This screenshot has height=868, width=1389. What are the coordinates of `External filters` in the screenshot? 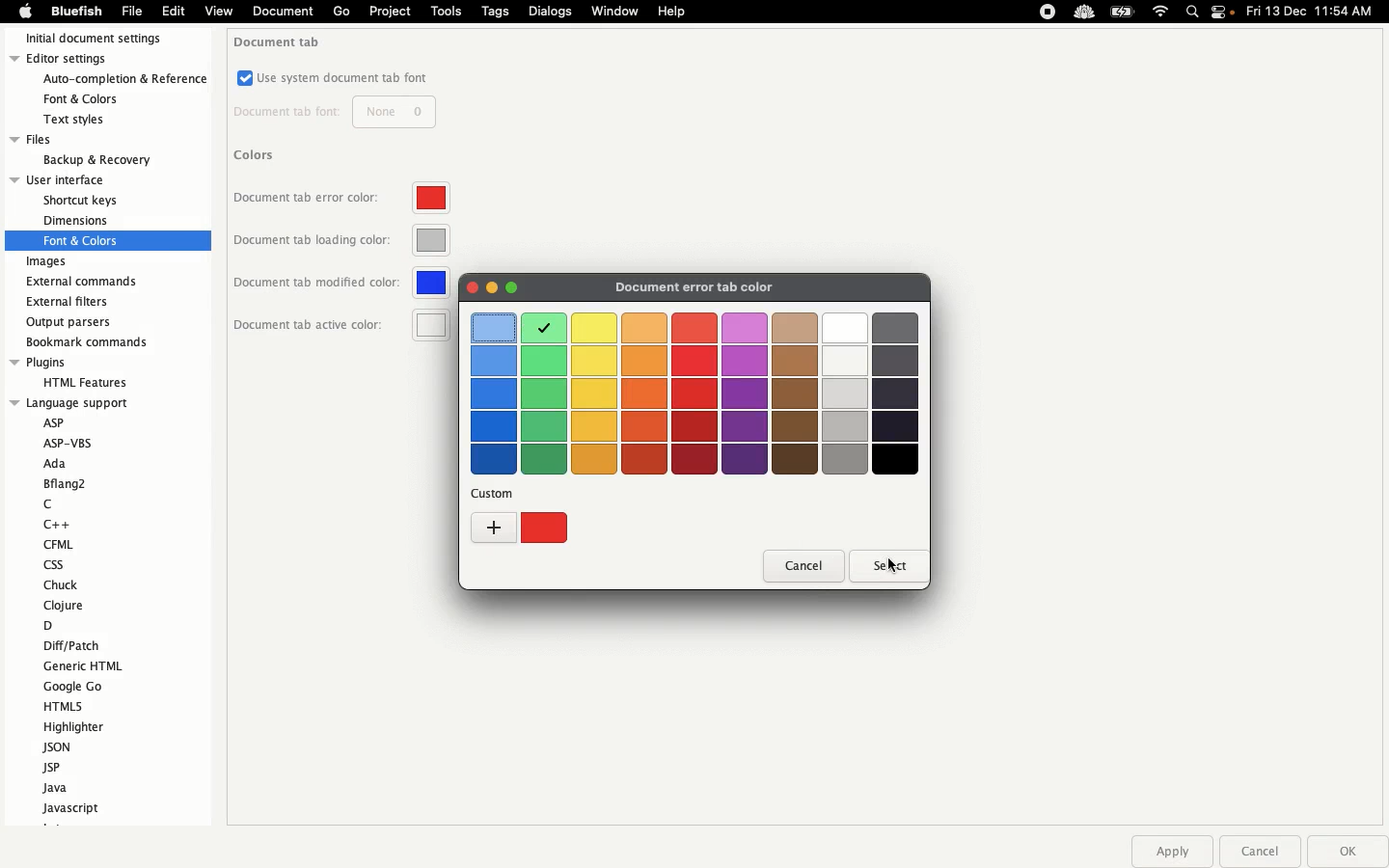 It's located at (70, 302).